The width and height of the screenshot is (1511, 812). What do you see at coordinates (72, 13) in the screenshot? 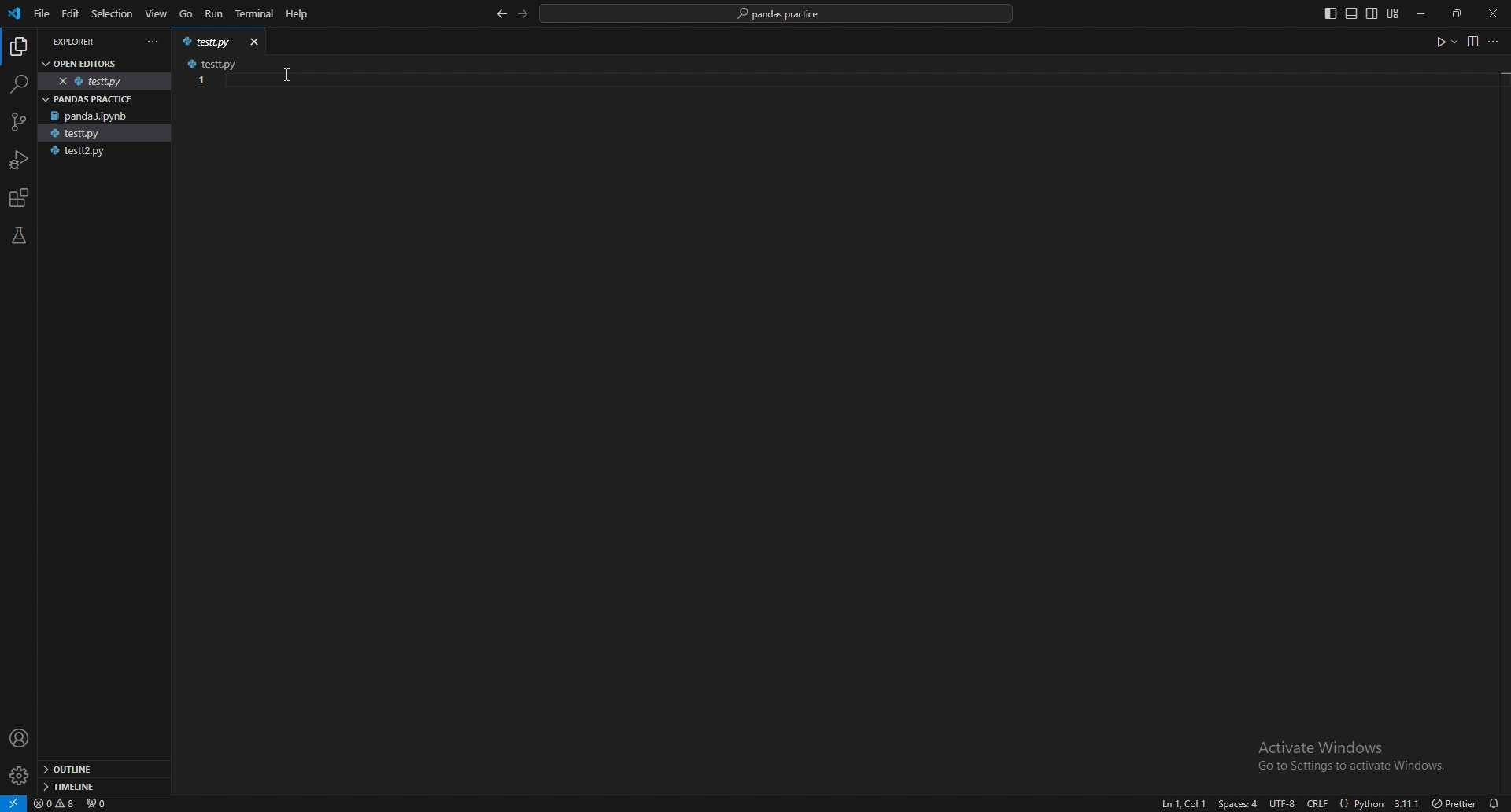
I see `edit` at bounding box center [72, 13].